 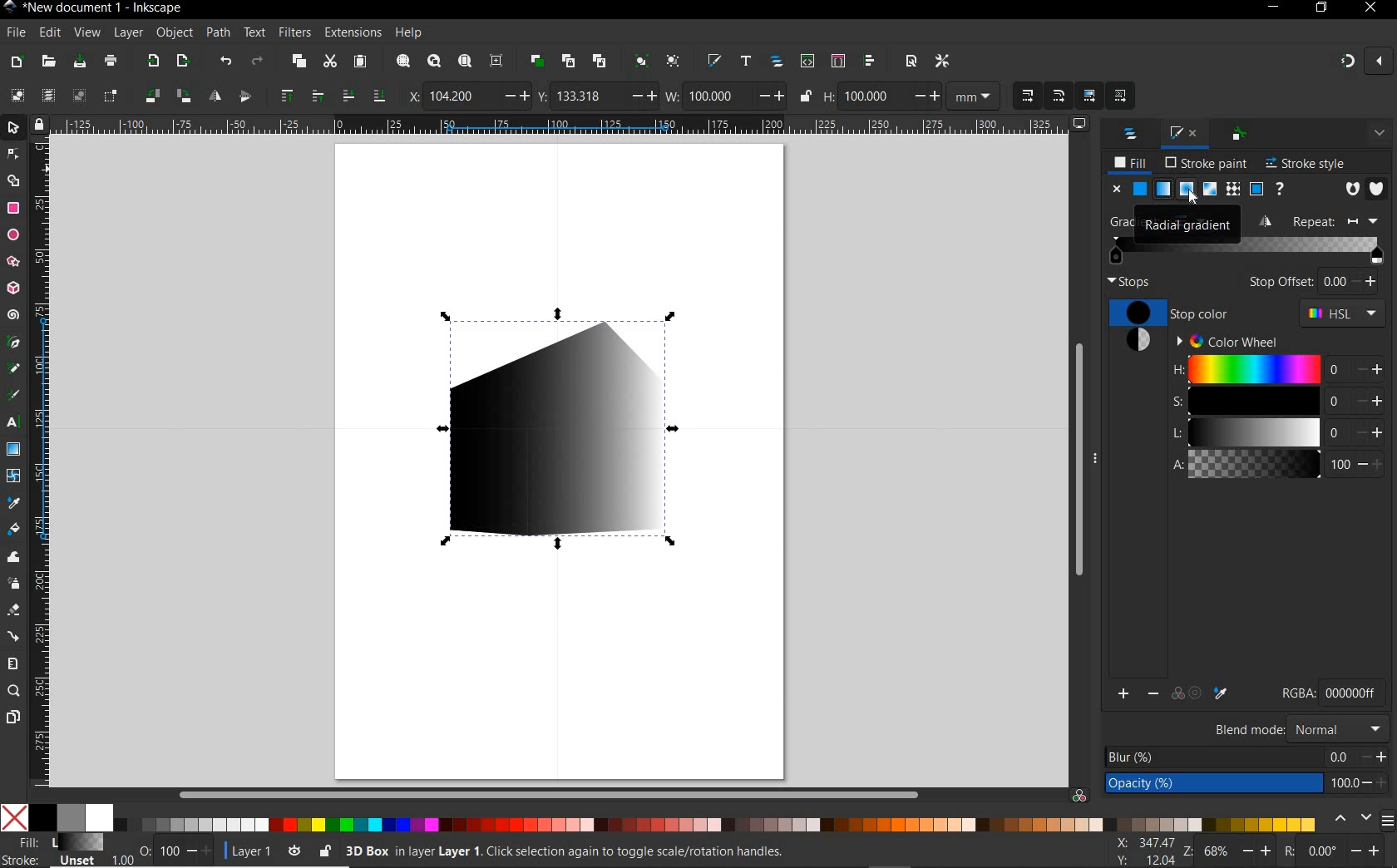 I want to click on CLOSE, so click(x=1369, y=12).